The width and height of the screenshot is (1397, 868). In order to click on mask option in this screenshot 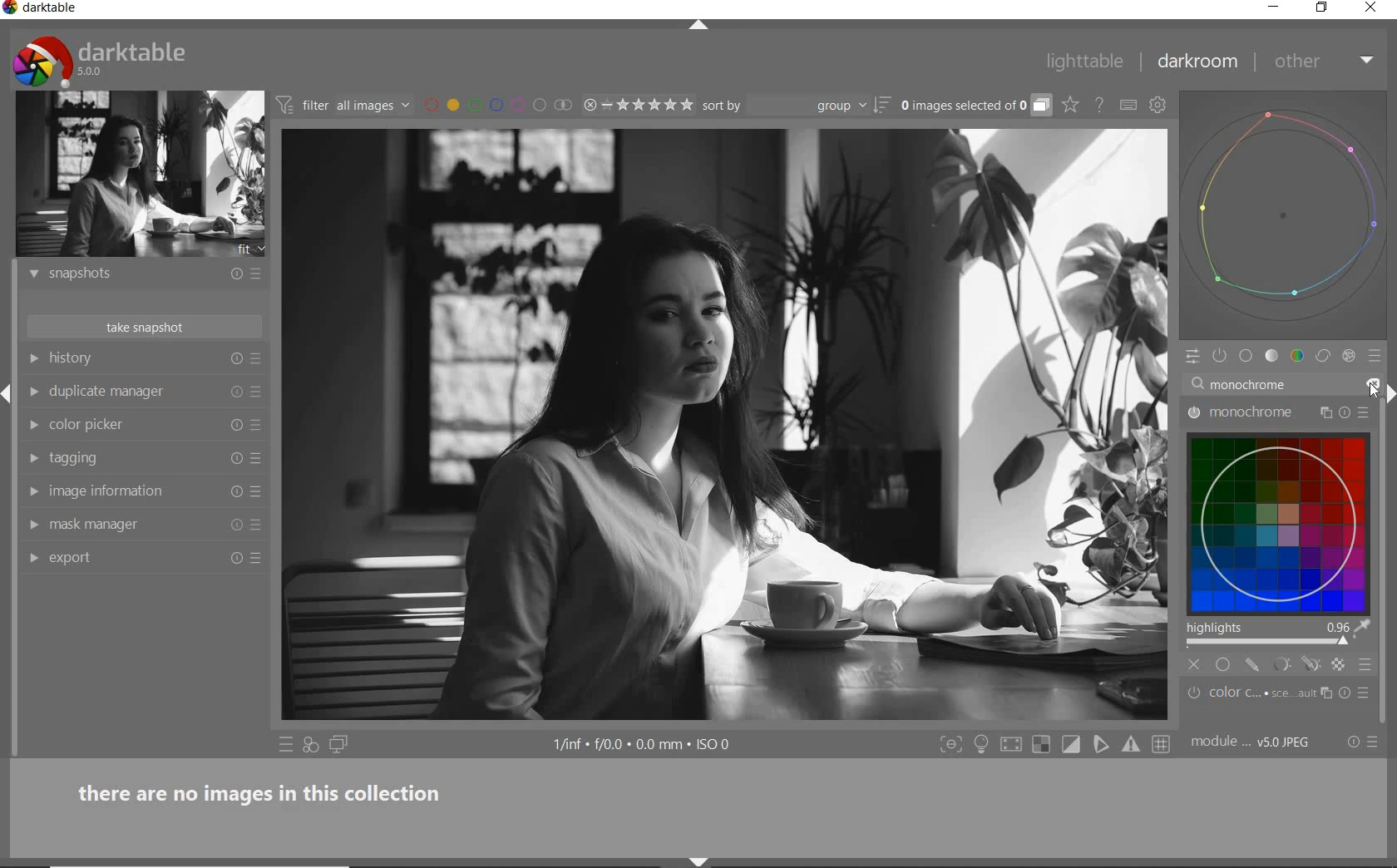, I will do `click(1293, 666)`.